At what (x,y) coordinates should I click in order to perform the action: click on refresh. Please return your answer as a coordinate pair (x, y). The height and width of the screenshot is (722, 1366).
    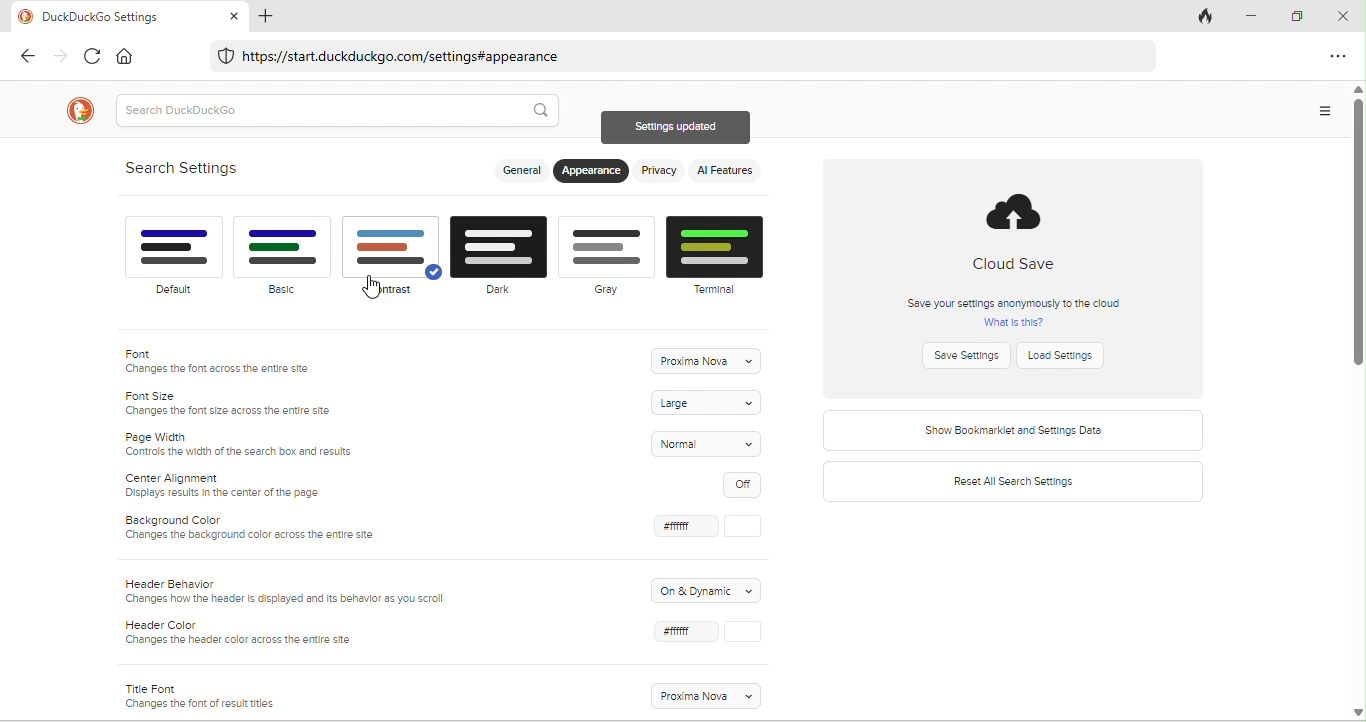
    Looking at the image, I should click on (90, 56).